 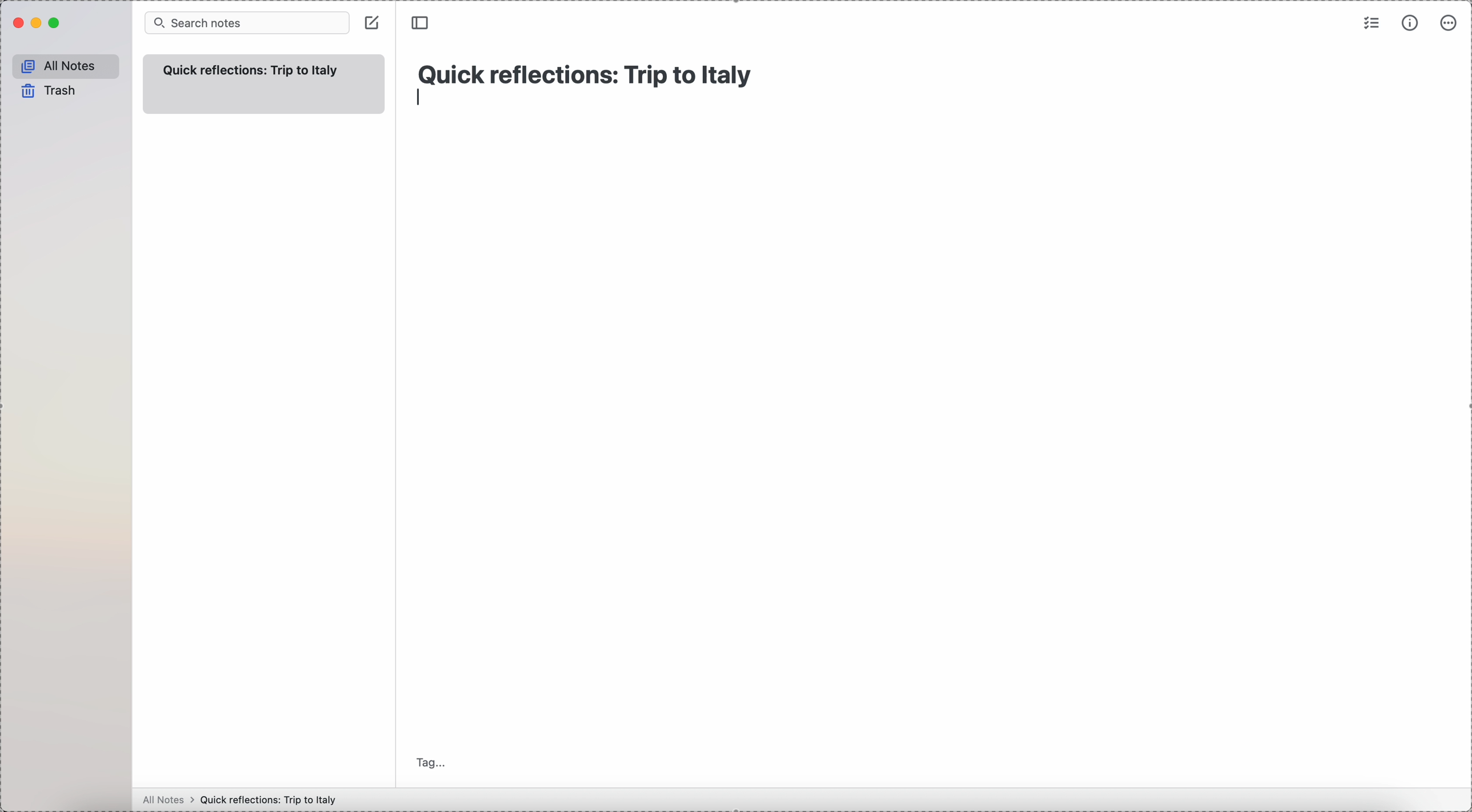 I want to click on metrics, so click(x=1411, y=22).